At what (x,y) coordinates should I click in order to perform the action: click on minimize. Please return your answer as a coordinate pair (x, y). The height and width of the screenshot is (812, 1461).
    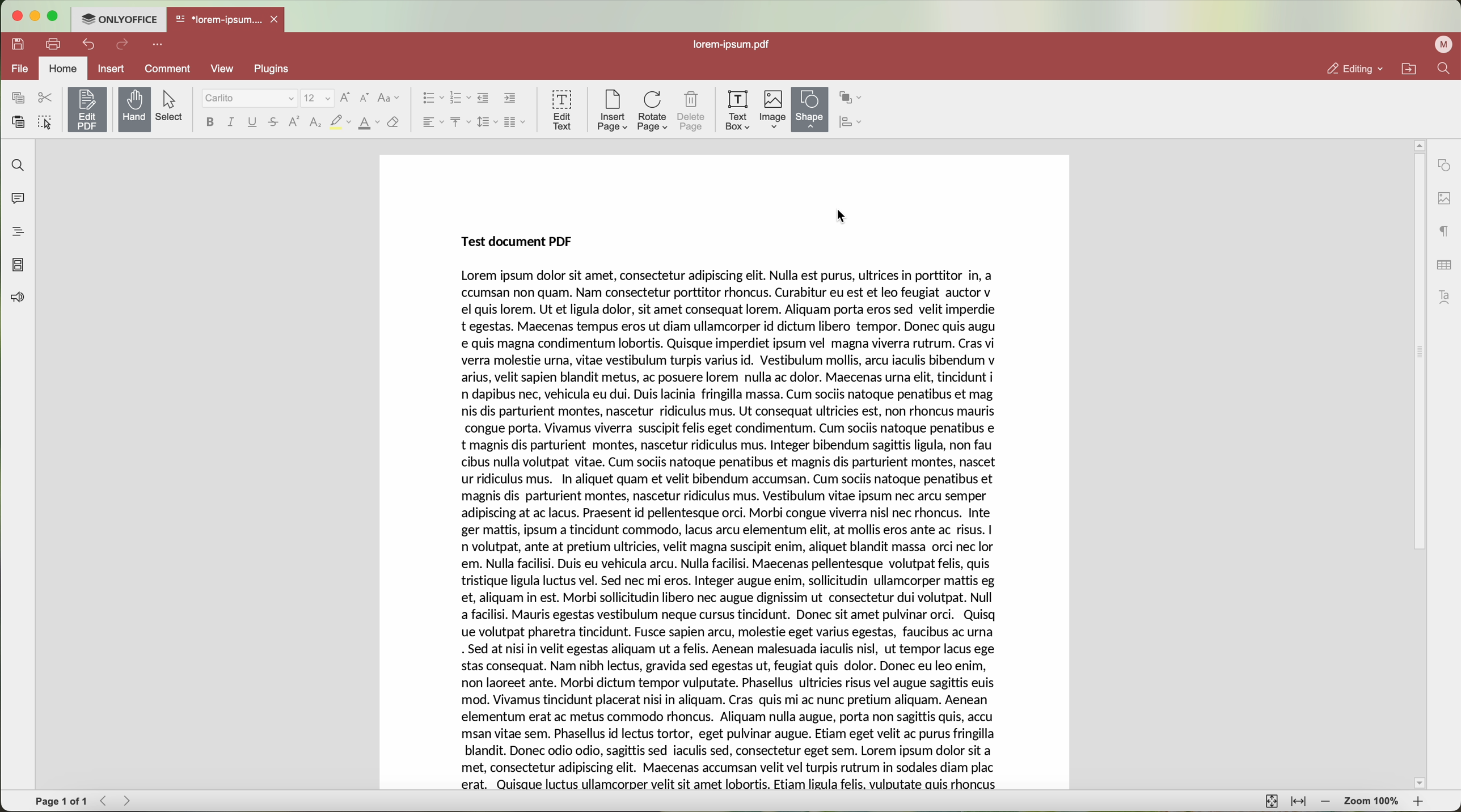
    Looking at the image, I should click on (36, 16).